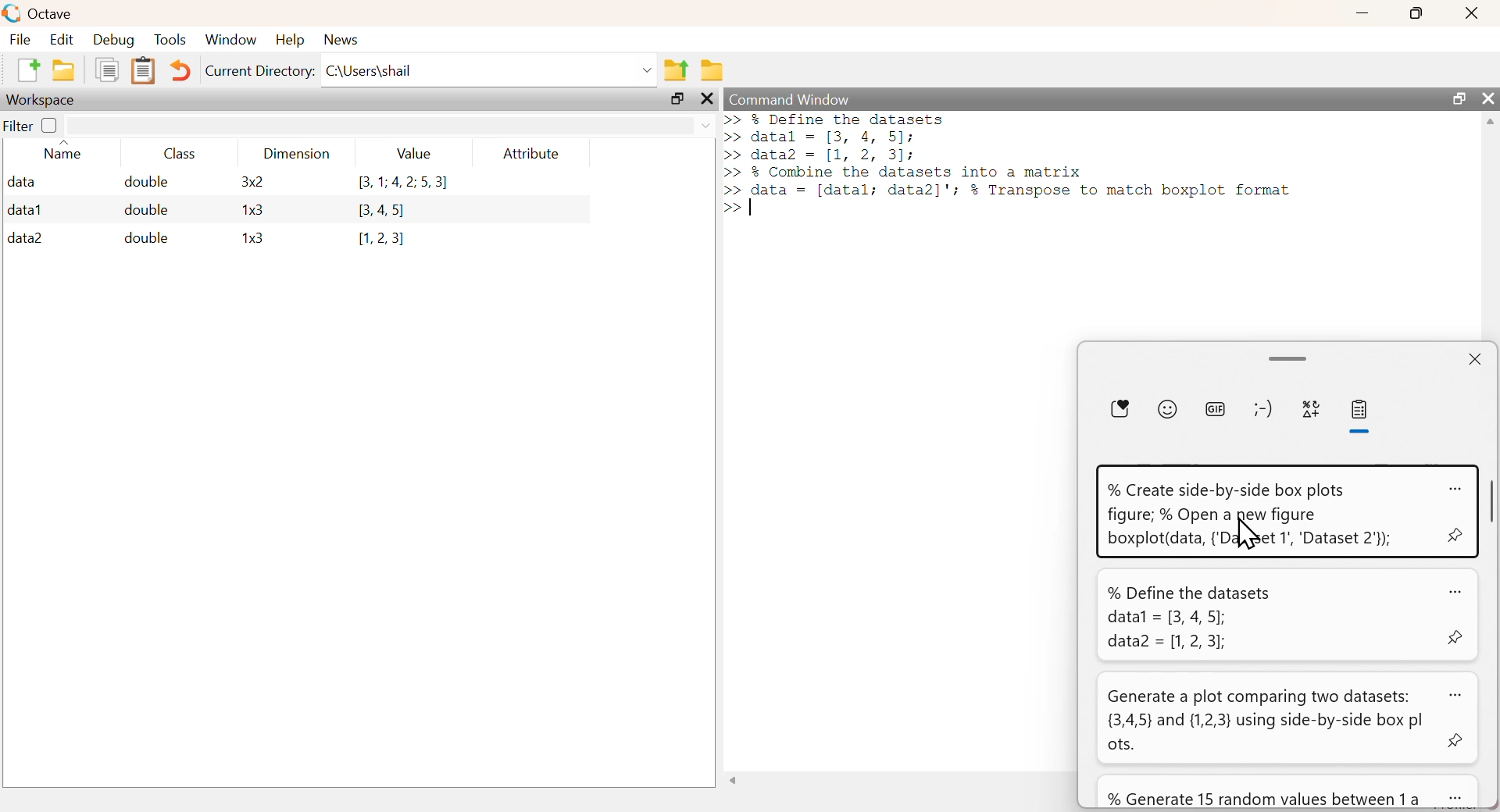 The height and width of the screenshot is (812, 1500). I want to click on Emoticons, so click(1261, 408).